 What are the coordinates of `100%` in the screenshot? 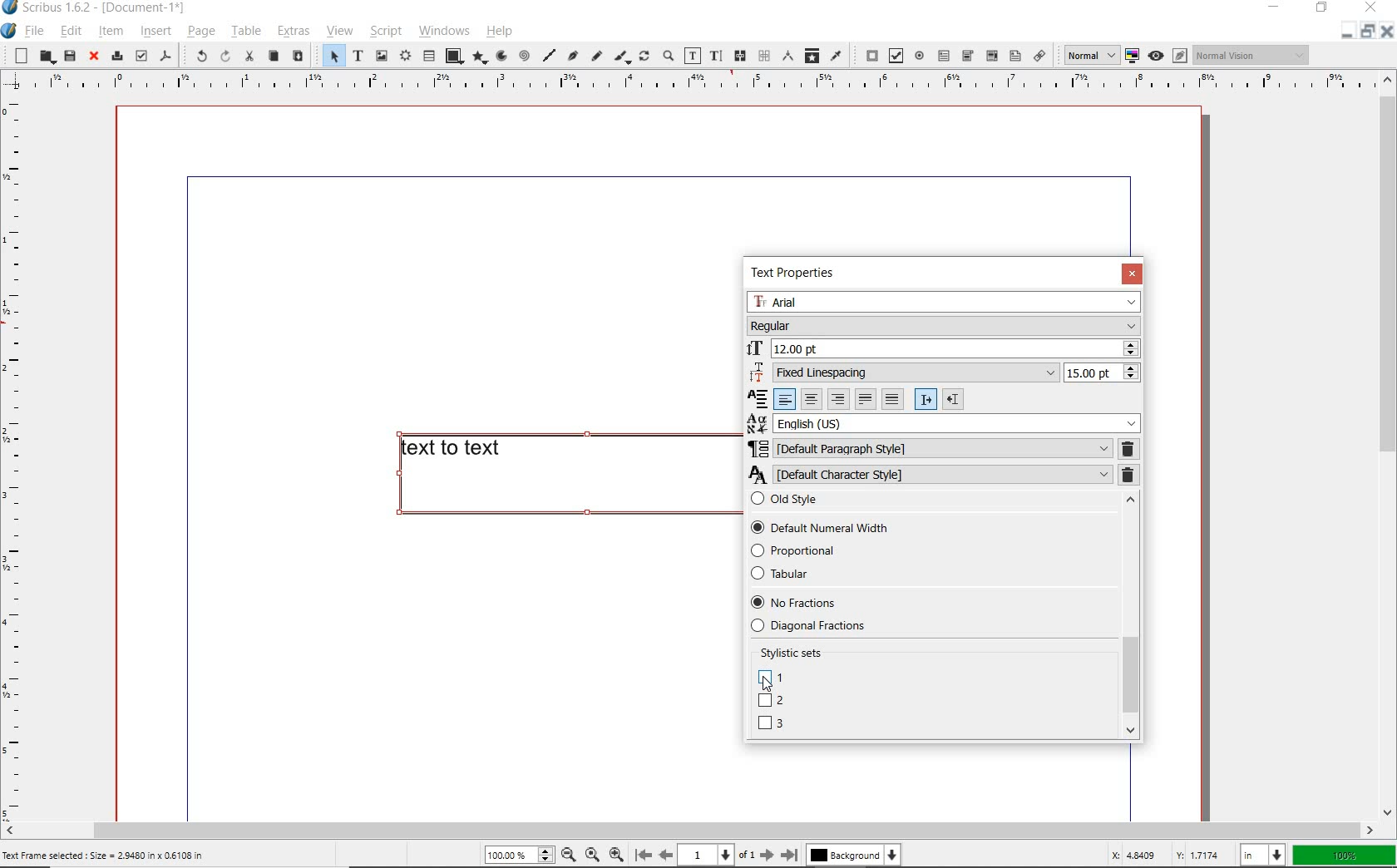 It's located at (1345, 856).